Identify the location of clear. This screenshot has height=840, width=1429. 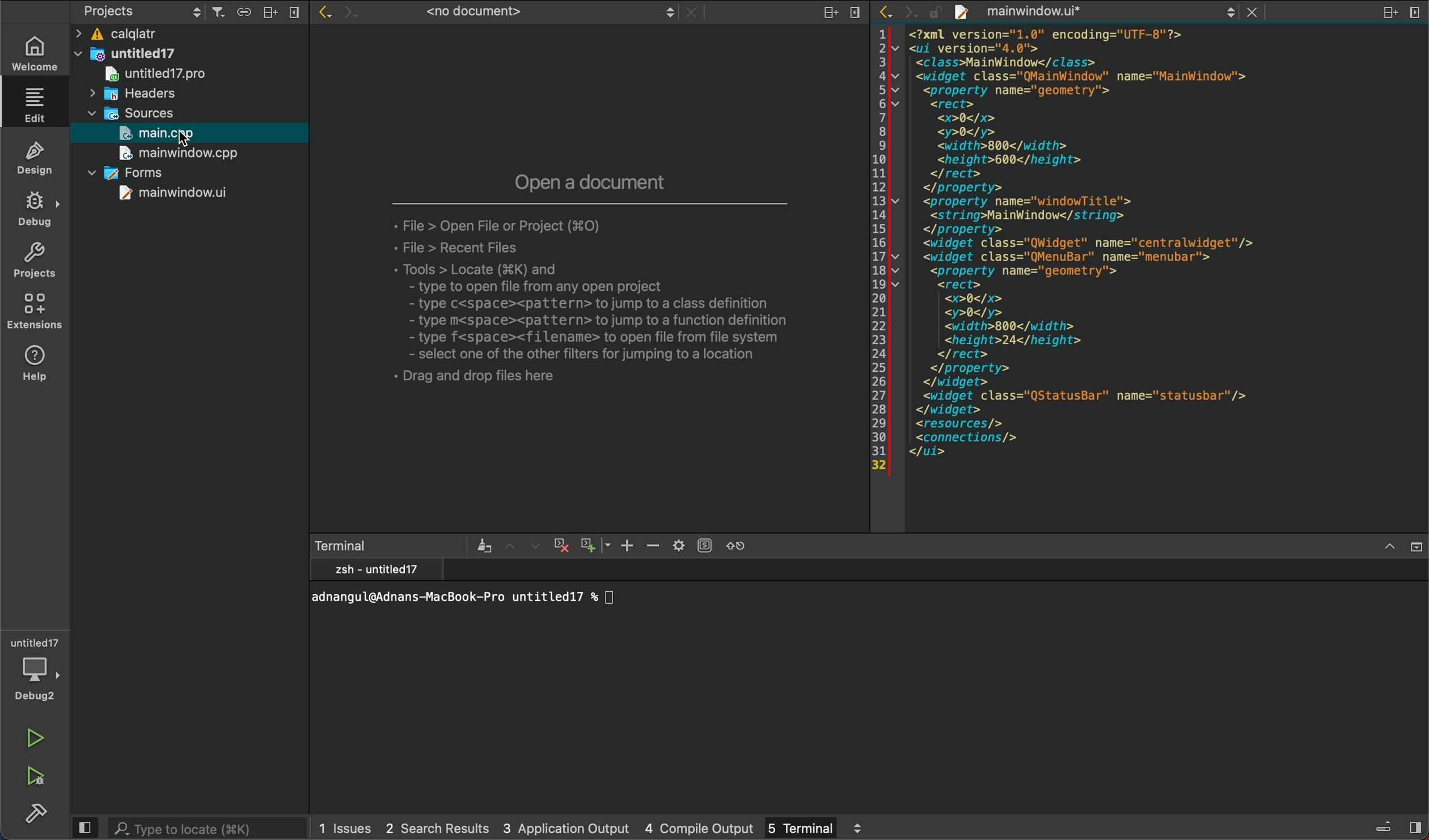
(483, 545).